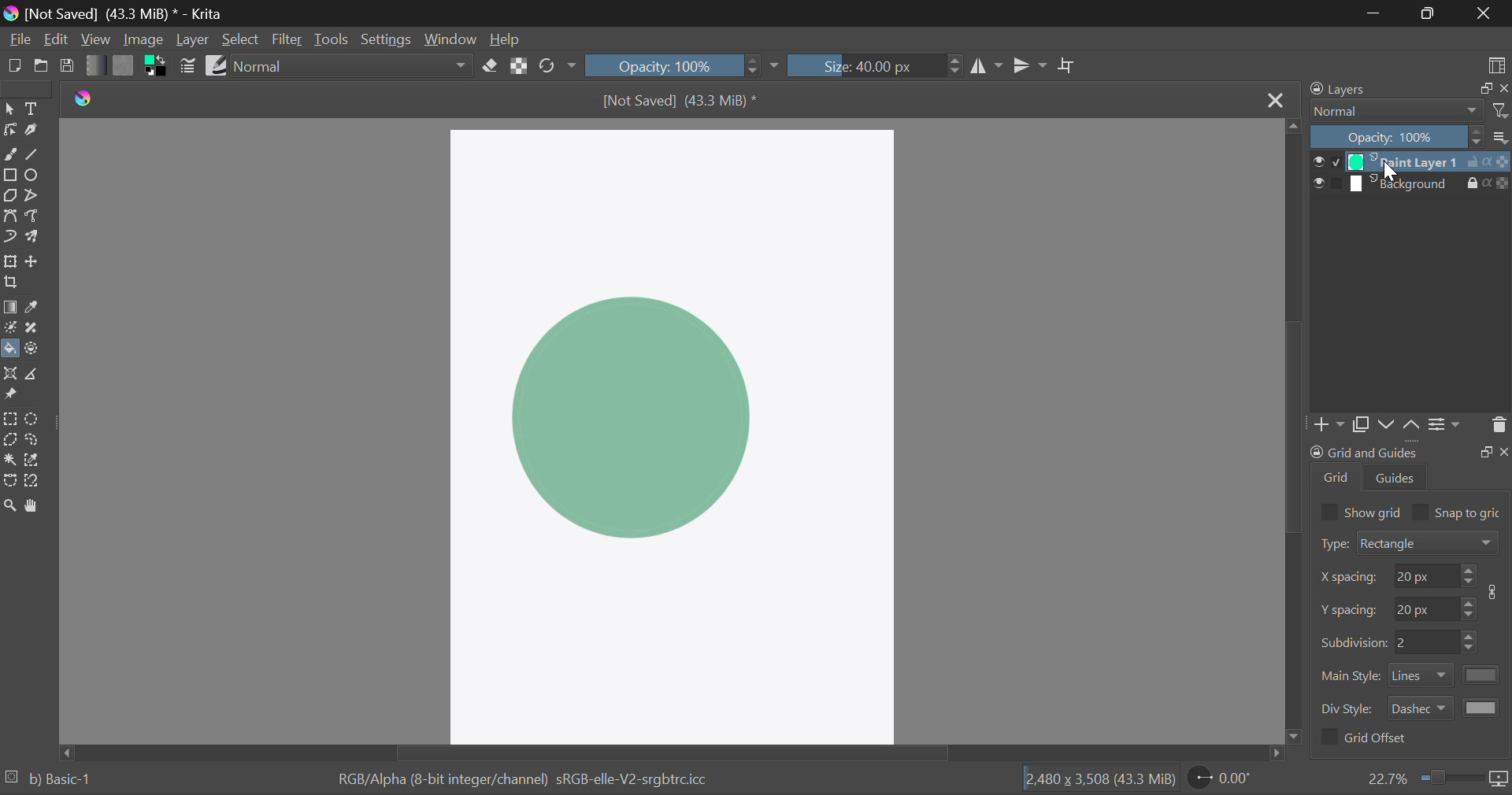  What do you see at coordinates (1031, 65) in the screenshot?
I see `Horizontal Mirror Flip` at bounding box center [1031, 65].